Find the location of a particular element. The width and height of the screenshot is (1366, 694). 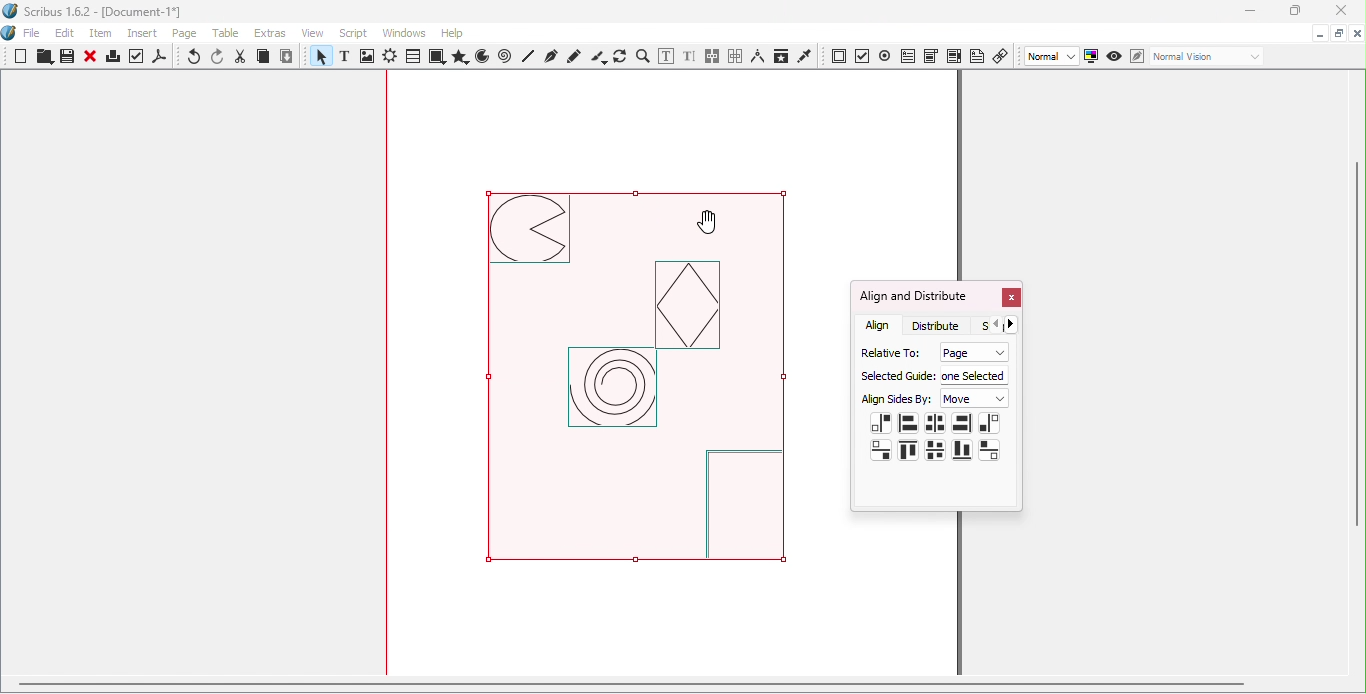

Go back is located at coordinates (996, 325).